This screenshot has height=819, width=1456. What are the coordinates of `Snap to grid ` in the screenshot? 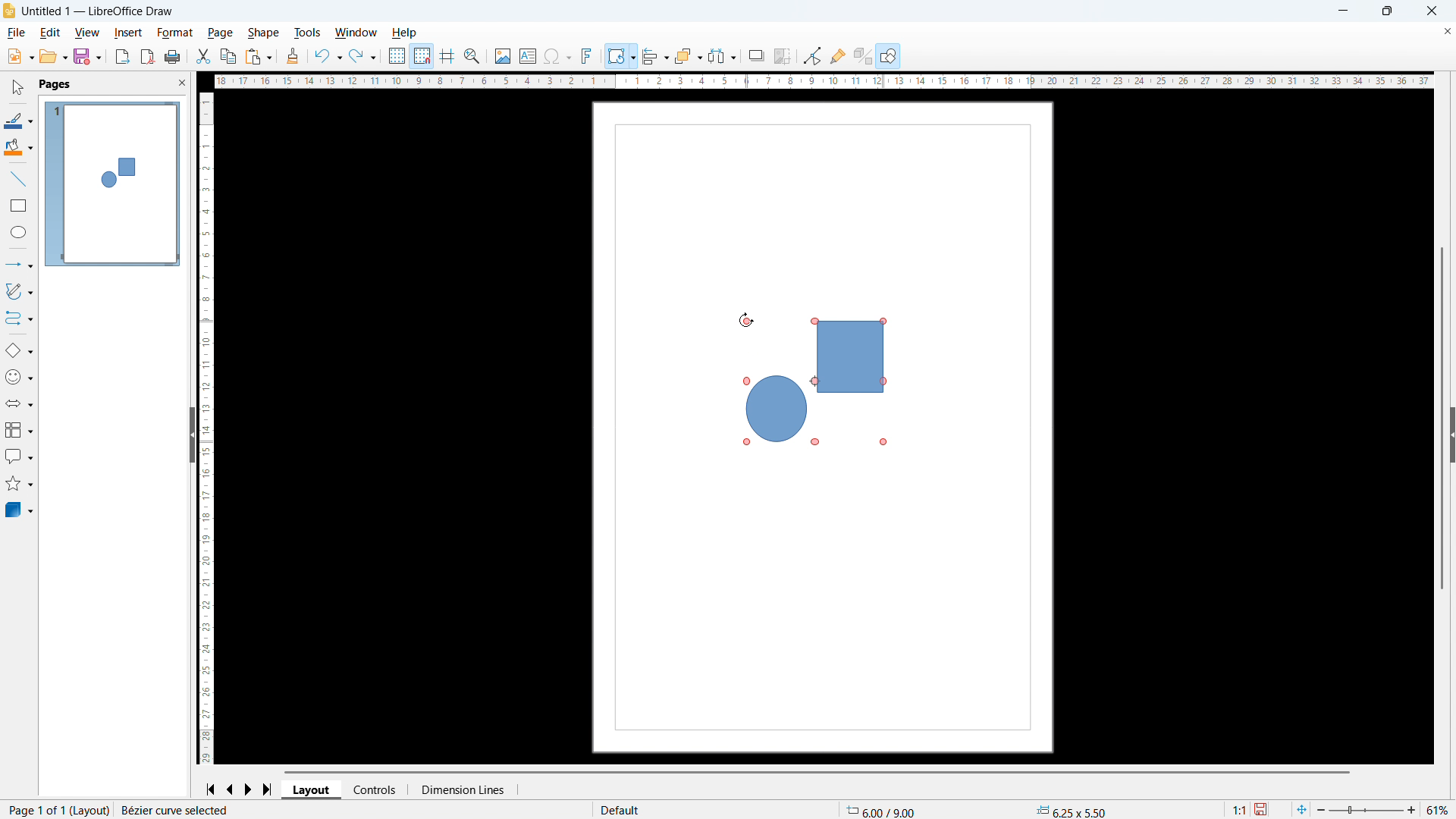 It's located at (422, 56).